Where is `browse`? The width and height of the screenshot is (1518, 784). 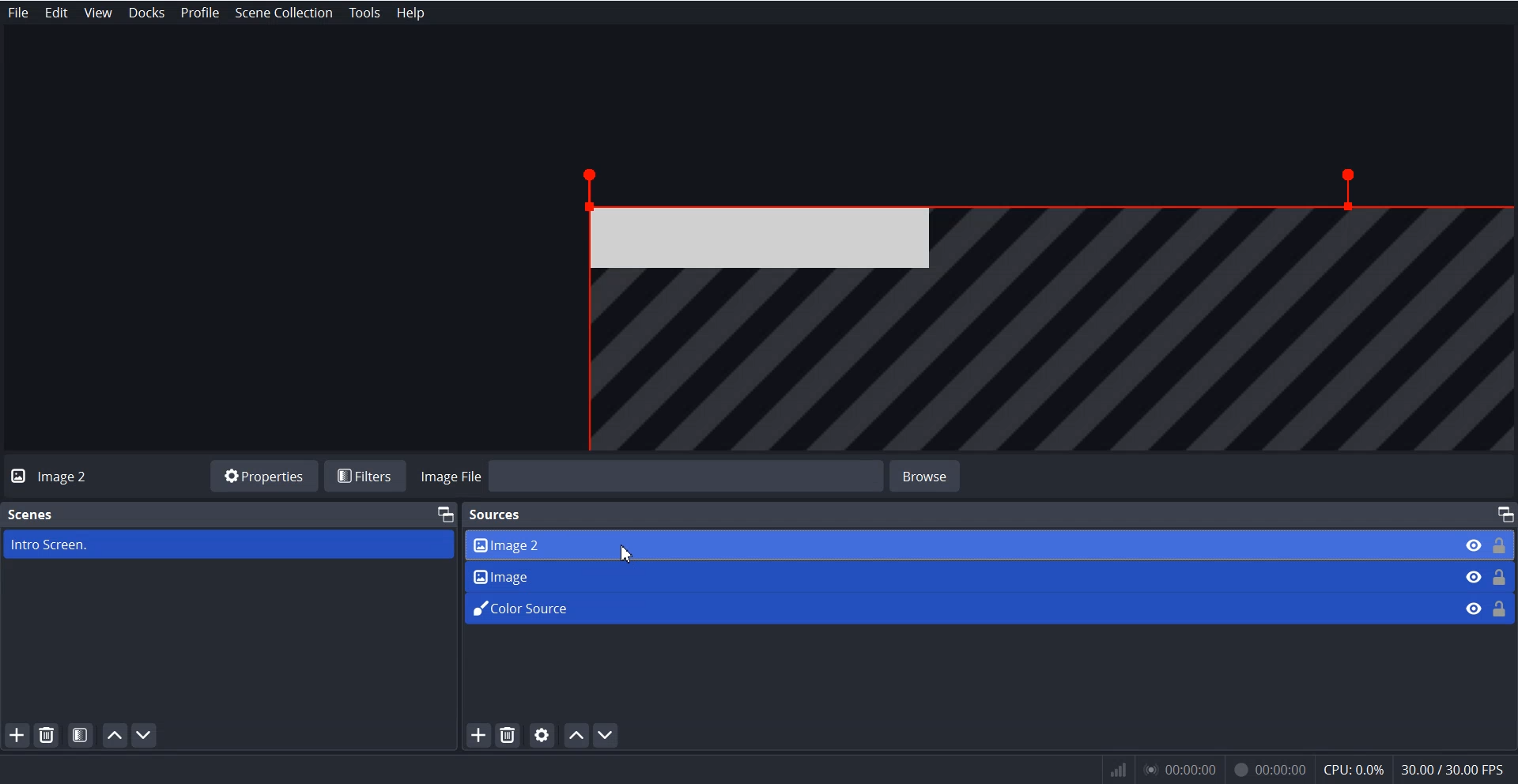 browse is located at coordinates (938, 474).